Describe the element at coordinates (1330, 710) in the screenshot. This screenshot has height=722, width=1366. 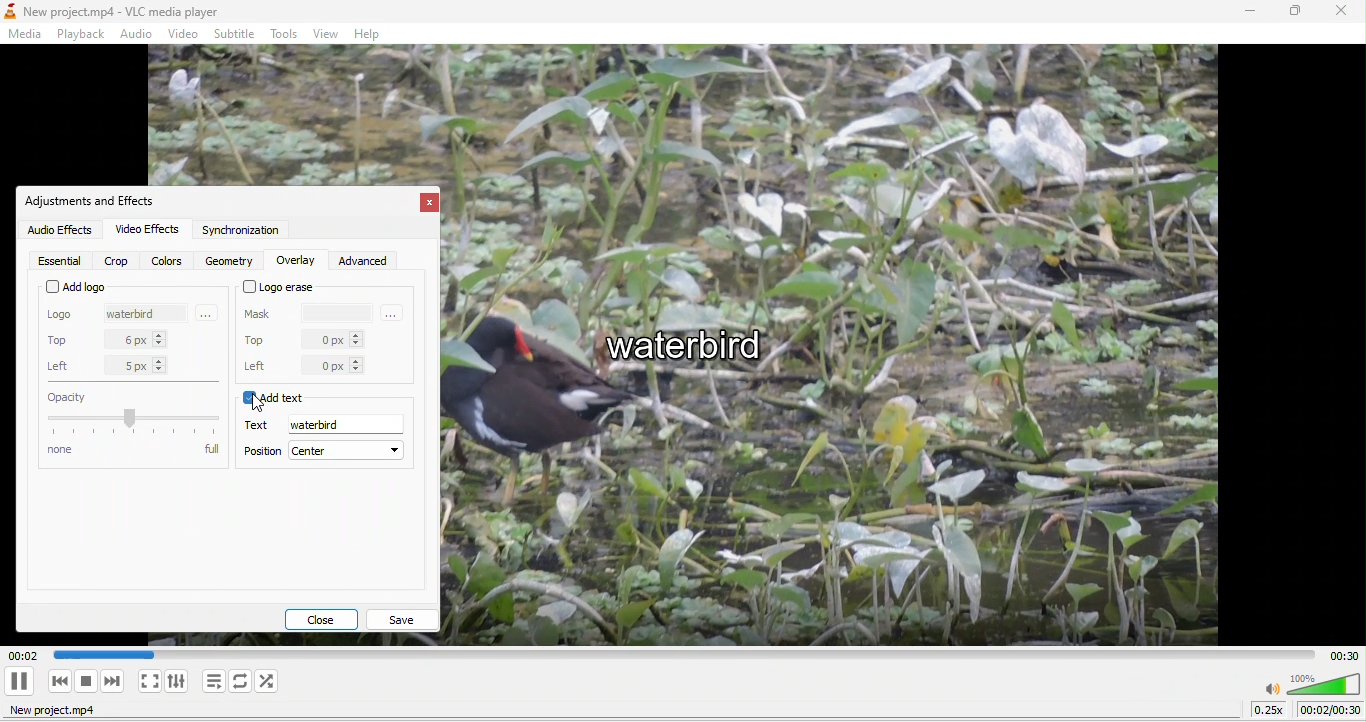
I see `00:00/00:30` at that location.